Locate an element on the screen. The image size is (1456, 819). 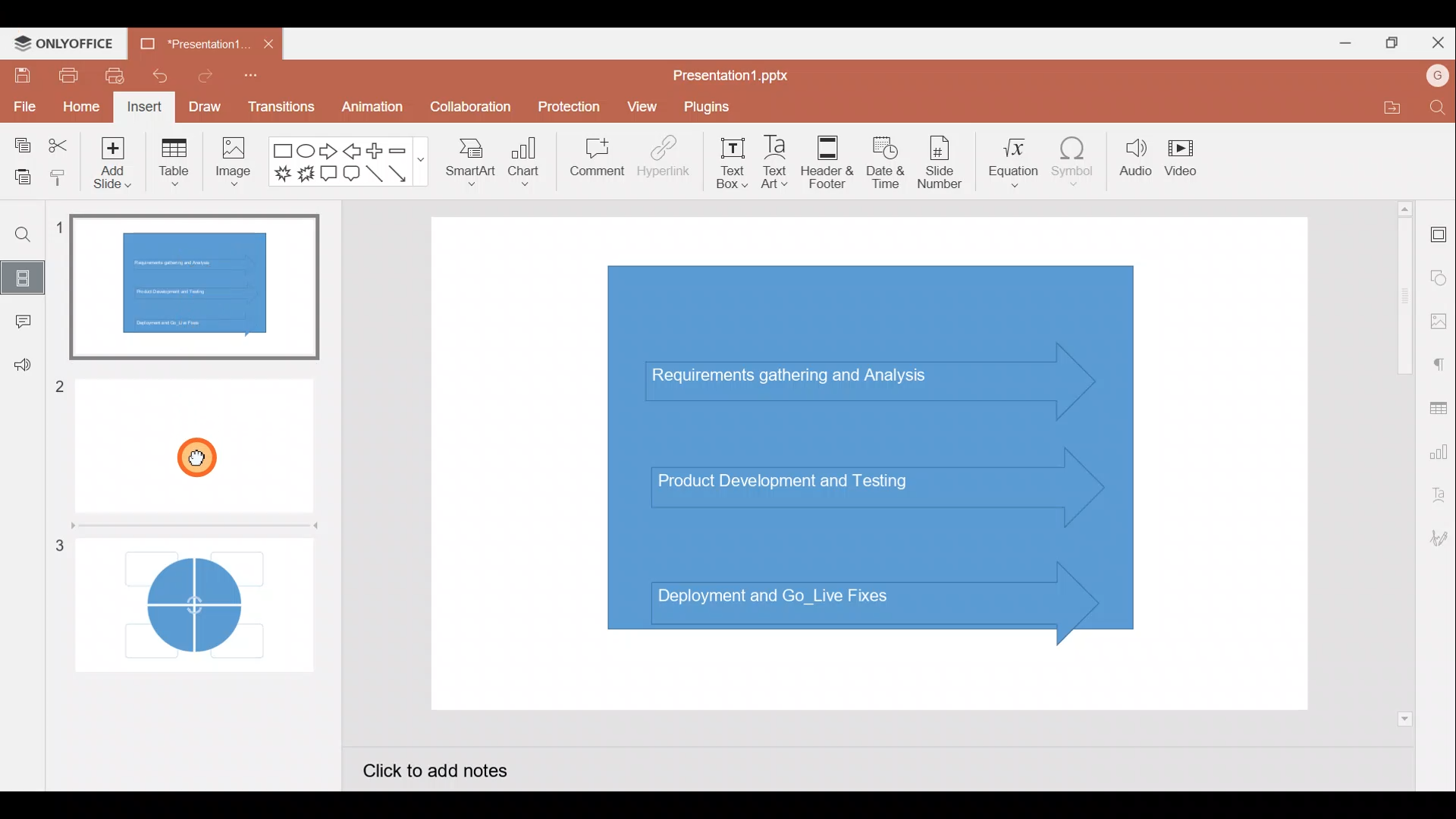
Cut is located at coordinates (58, 142).